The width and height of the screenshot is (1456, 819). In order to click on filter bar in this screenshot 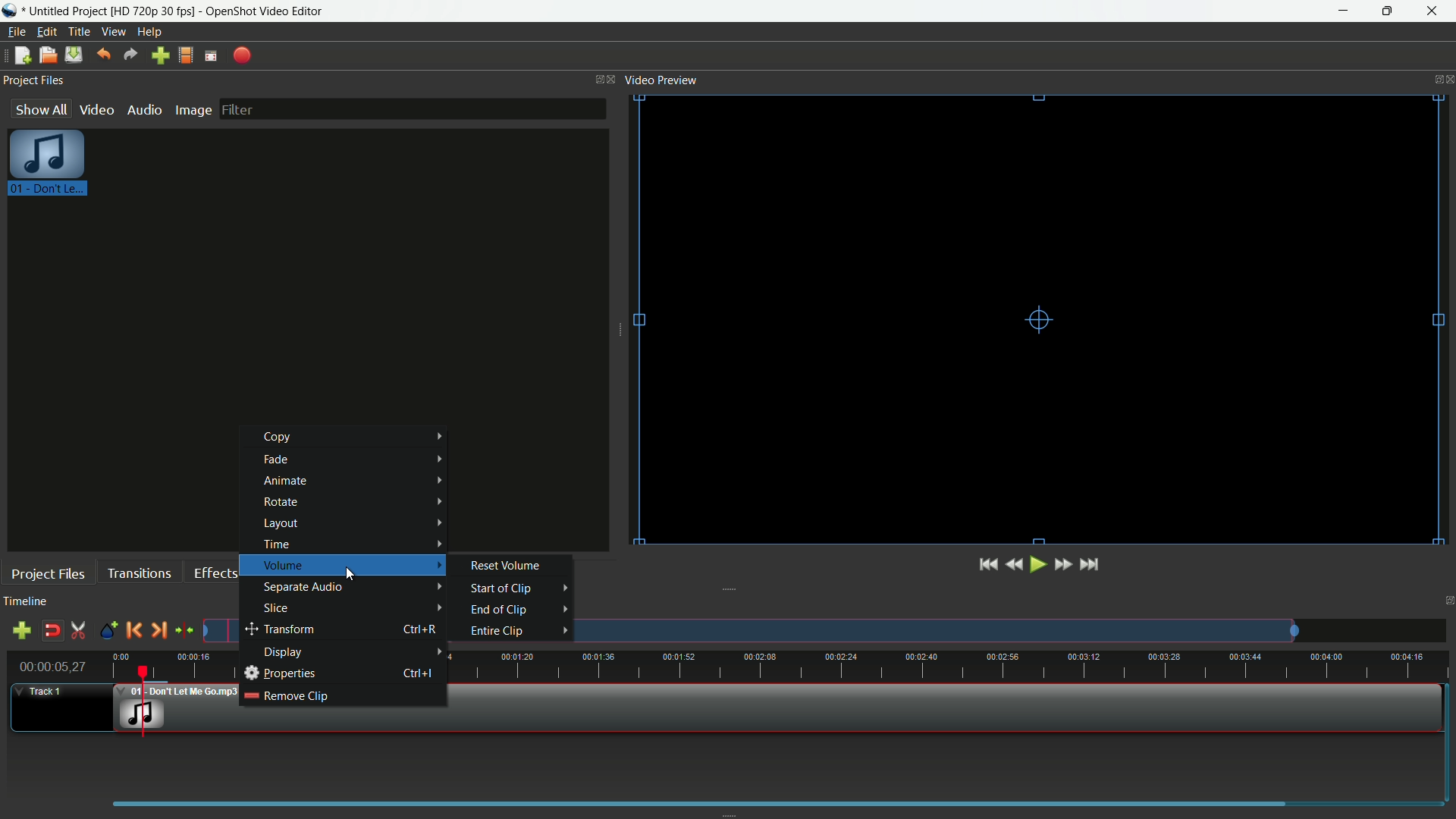, I will do `click(413, 108)`.